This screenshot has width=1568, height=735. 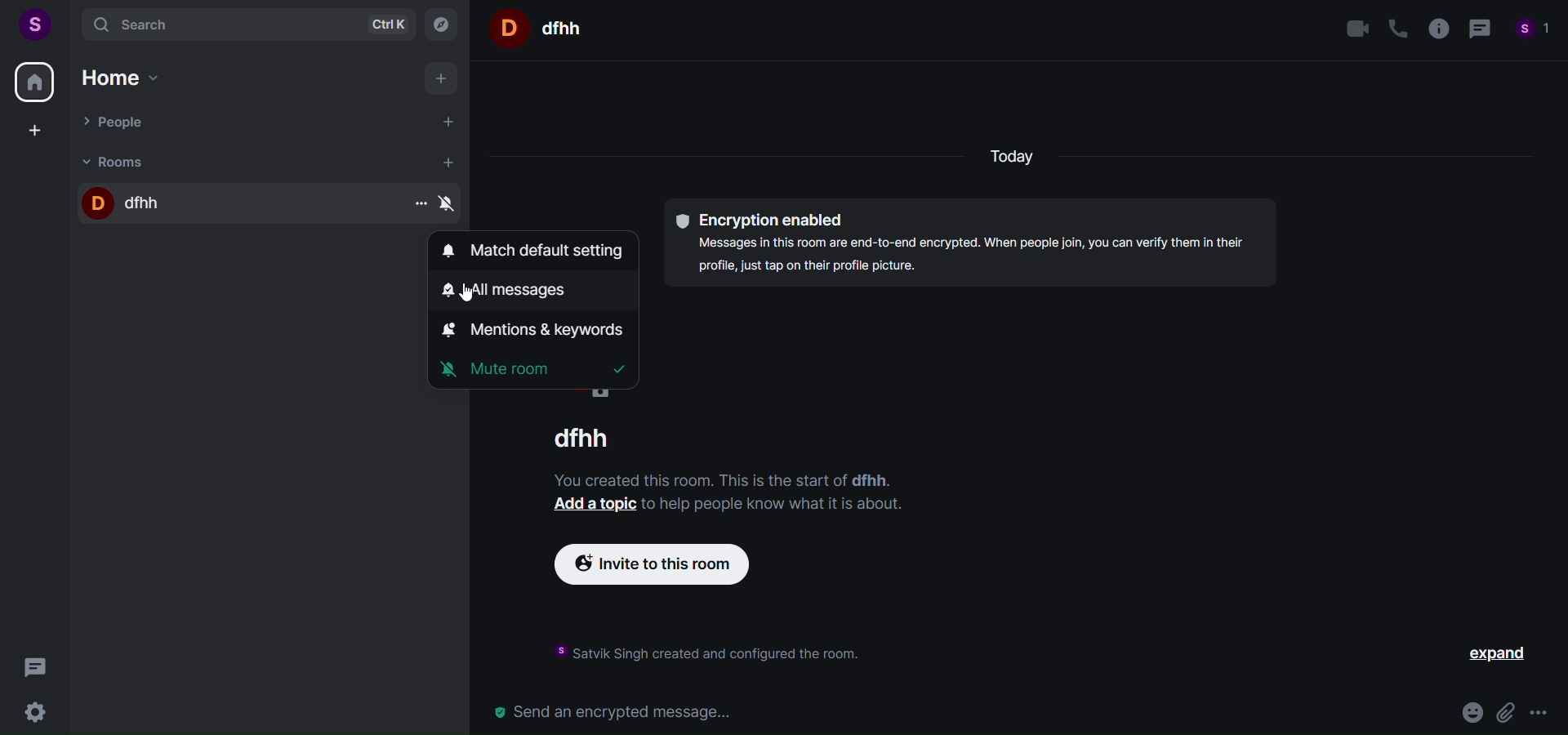 What do you see at coordinates (132, 78) in the screenshot?
I see `home ` at bounding box center [132, 78].